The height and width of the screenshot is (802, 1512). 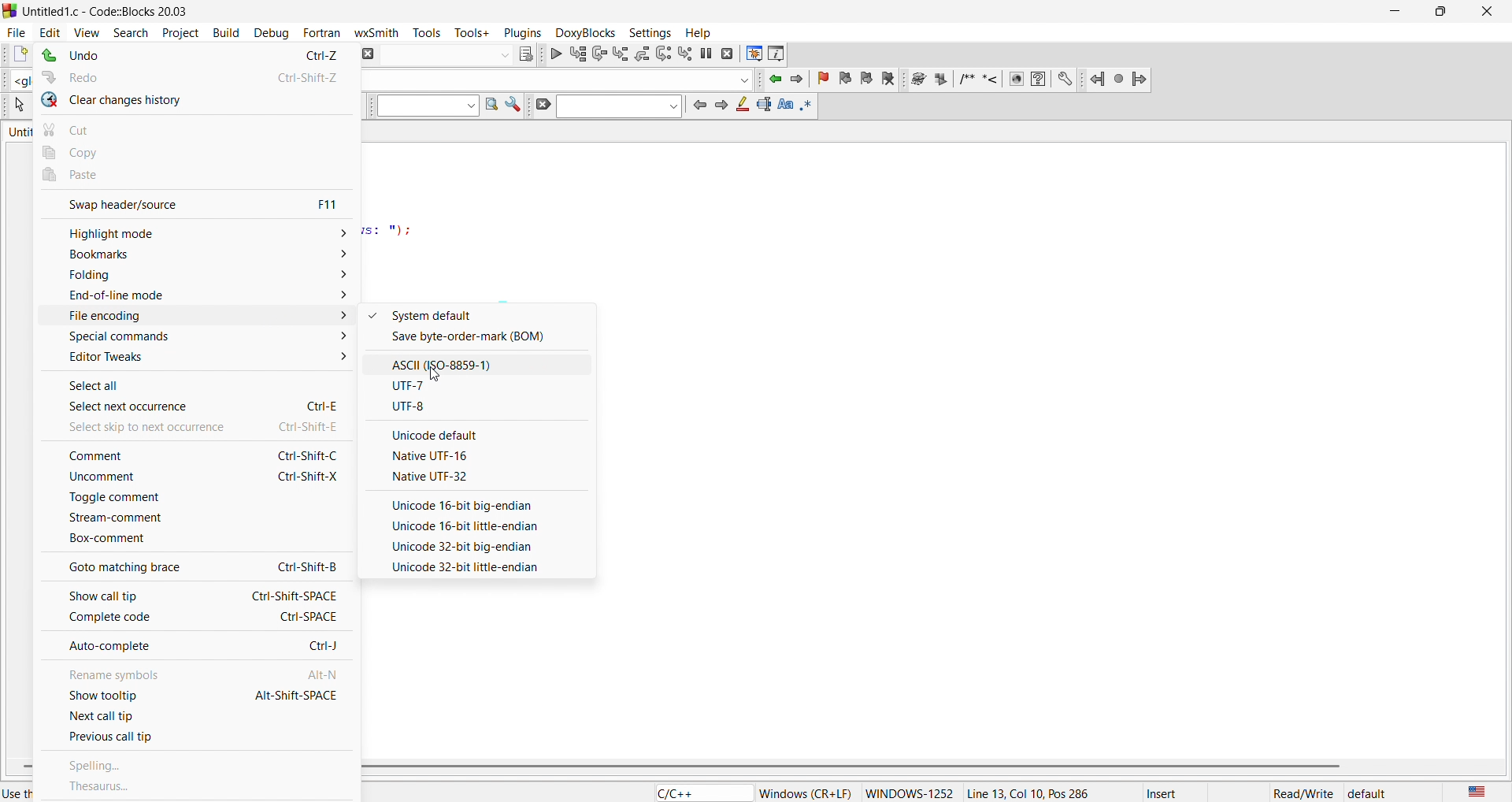 I want to click on jump forward, so click(x=1141, y=80).